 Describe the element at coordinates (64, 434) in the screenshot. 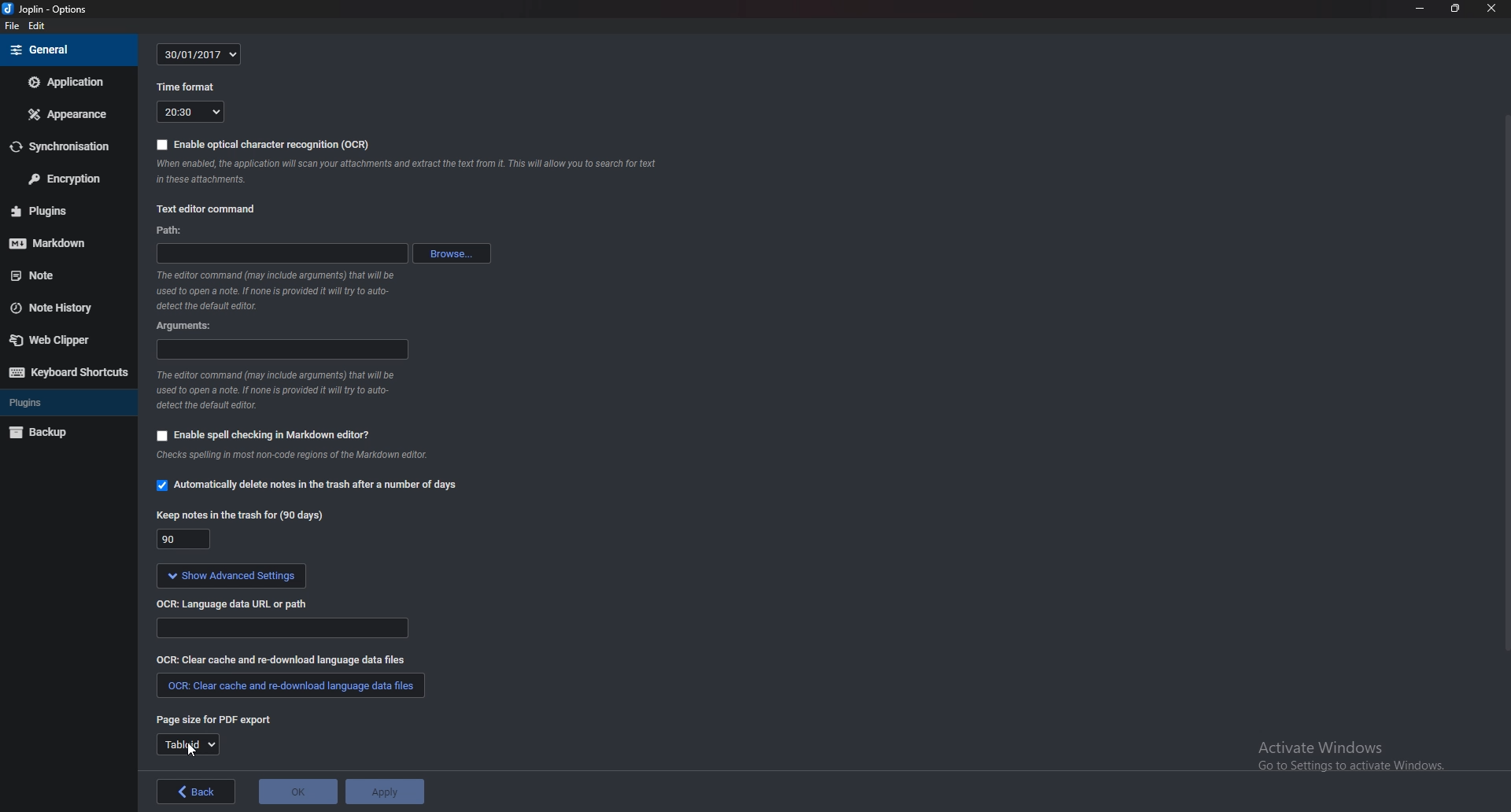

I see `Back up` at that location.